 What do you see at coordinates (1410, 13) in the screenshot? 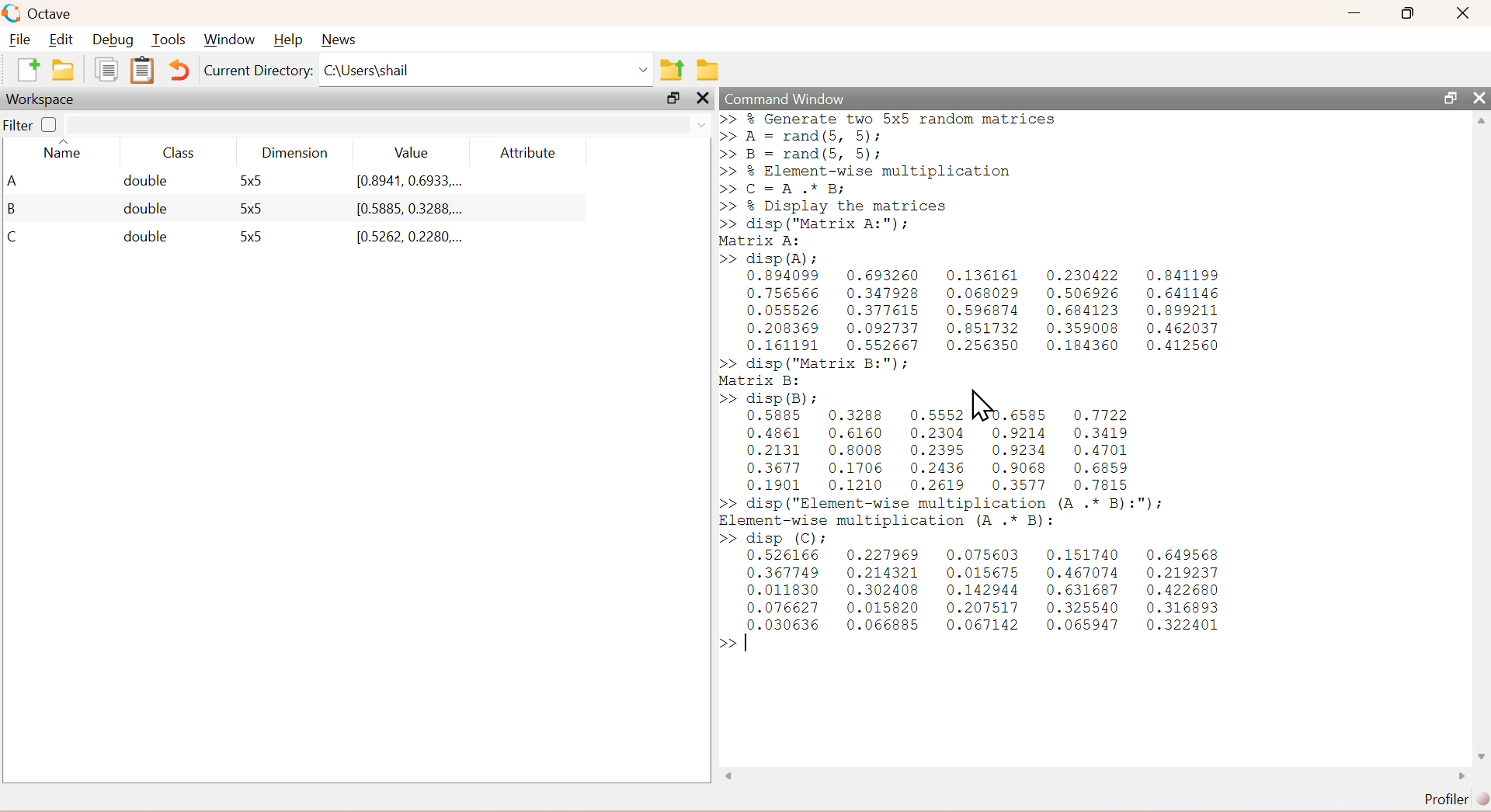
I see `Maximize/Restore` at bounding box center [1410, 13].